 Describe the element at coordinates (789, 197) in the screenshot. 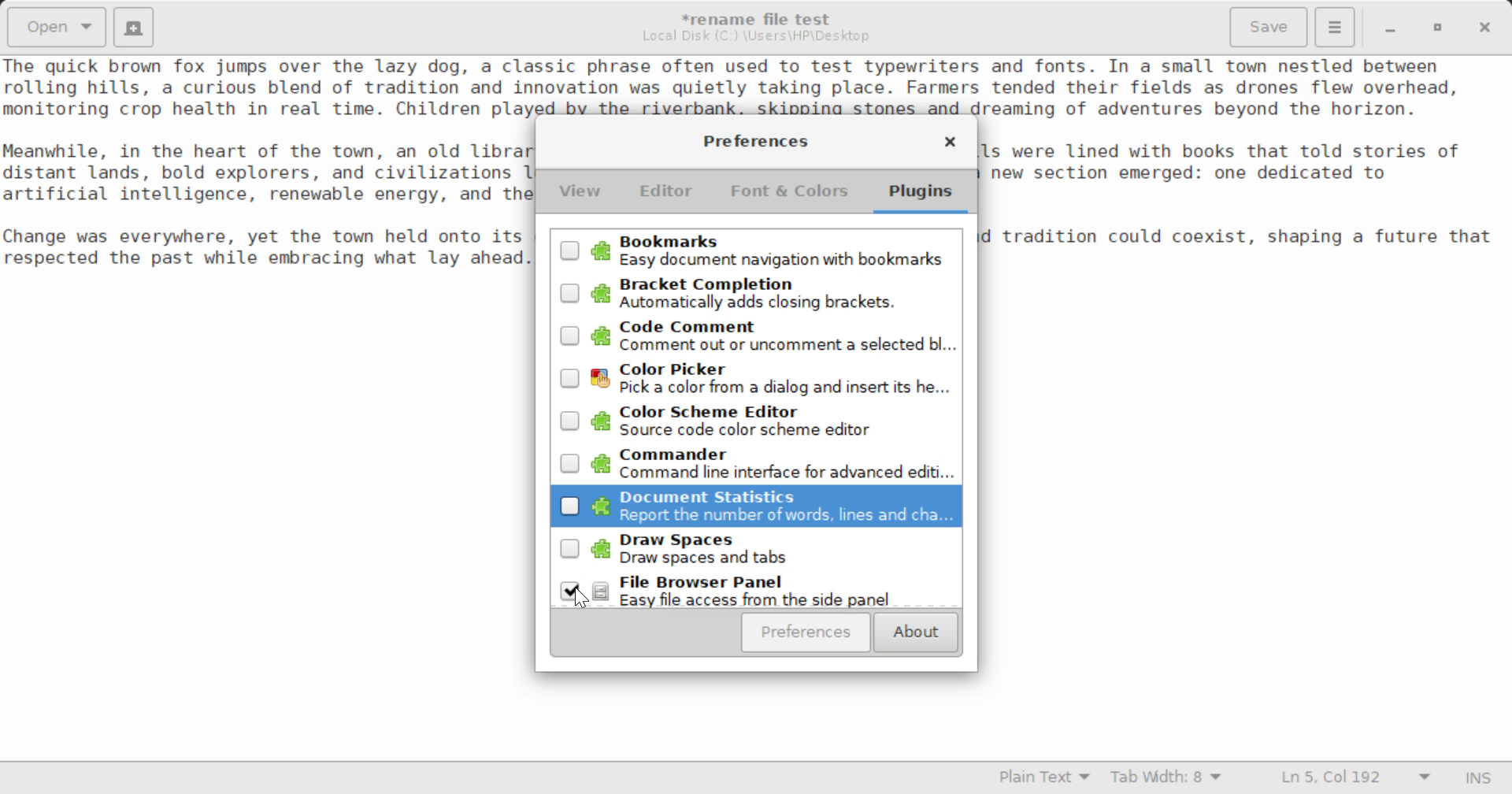

I see `Font & Colors Tab` at that location.